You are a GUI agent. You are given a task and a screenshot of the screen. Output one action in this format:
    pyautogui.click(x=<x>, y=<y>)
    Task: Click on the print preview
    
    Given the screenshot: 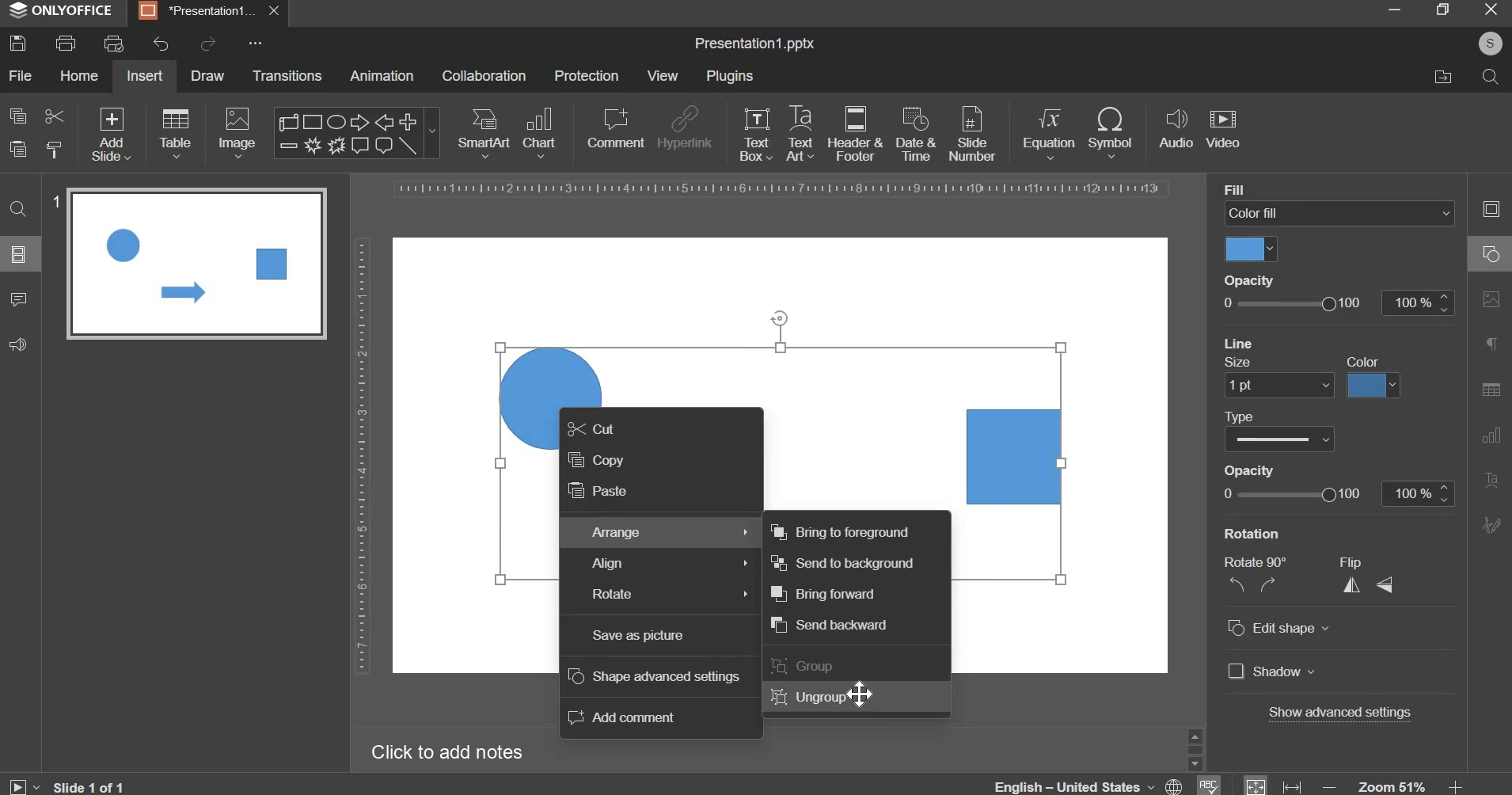 What is the action you would take?
    pyautogui.click(x=113, y=44)
    